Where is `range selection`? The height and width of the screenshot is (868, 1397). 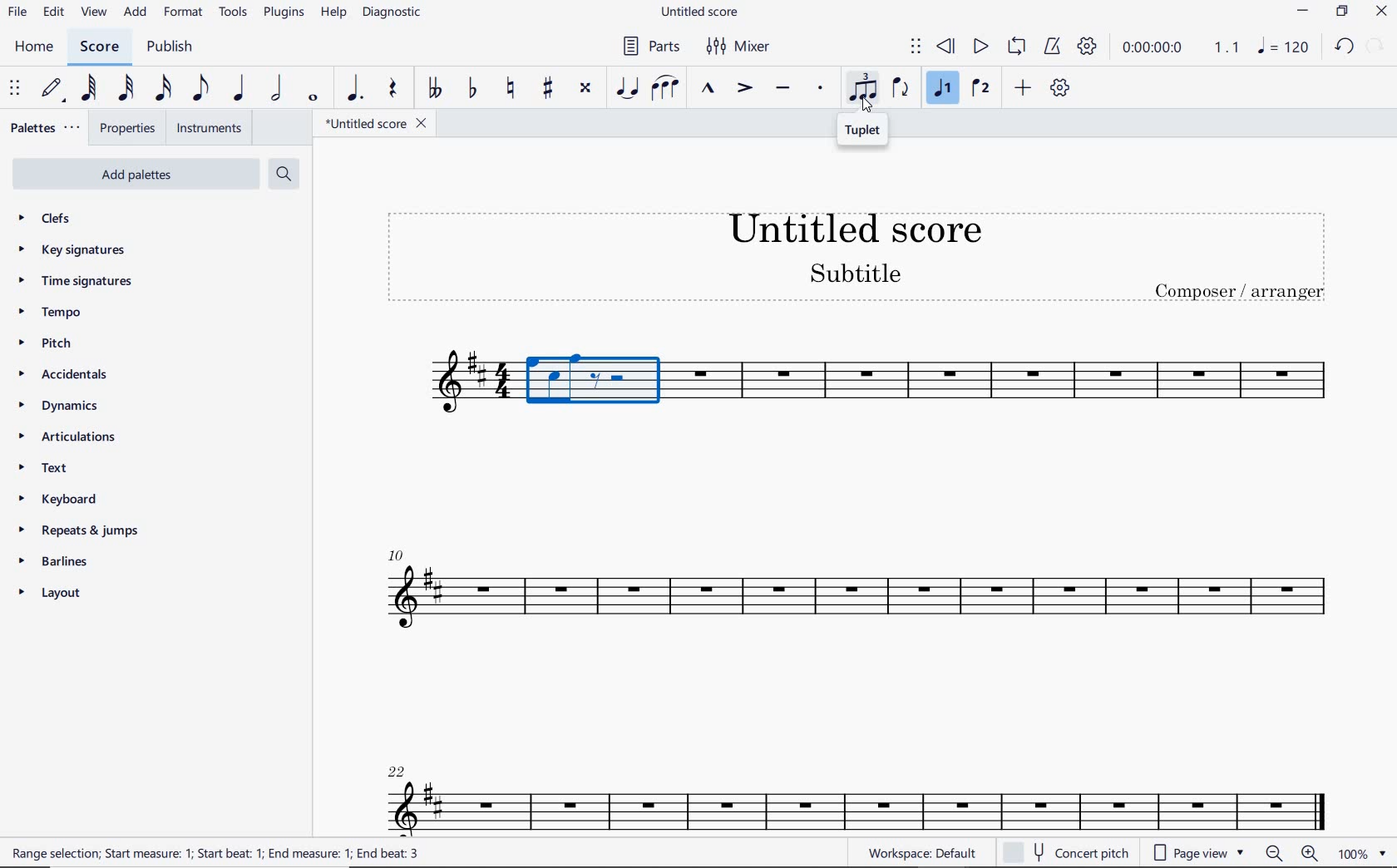 range selection is located at coordinates (215, 853).